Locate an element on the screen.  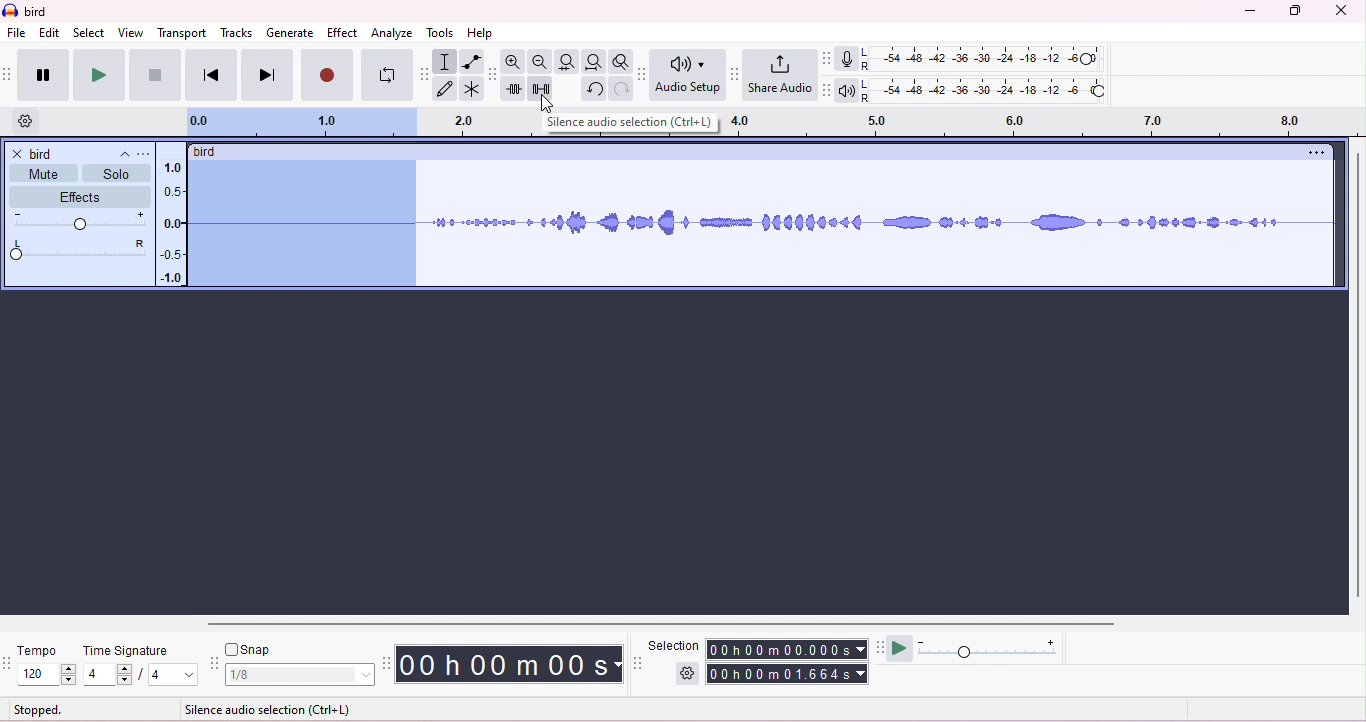
Audio setup is located at coordinates (690, 74).